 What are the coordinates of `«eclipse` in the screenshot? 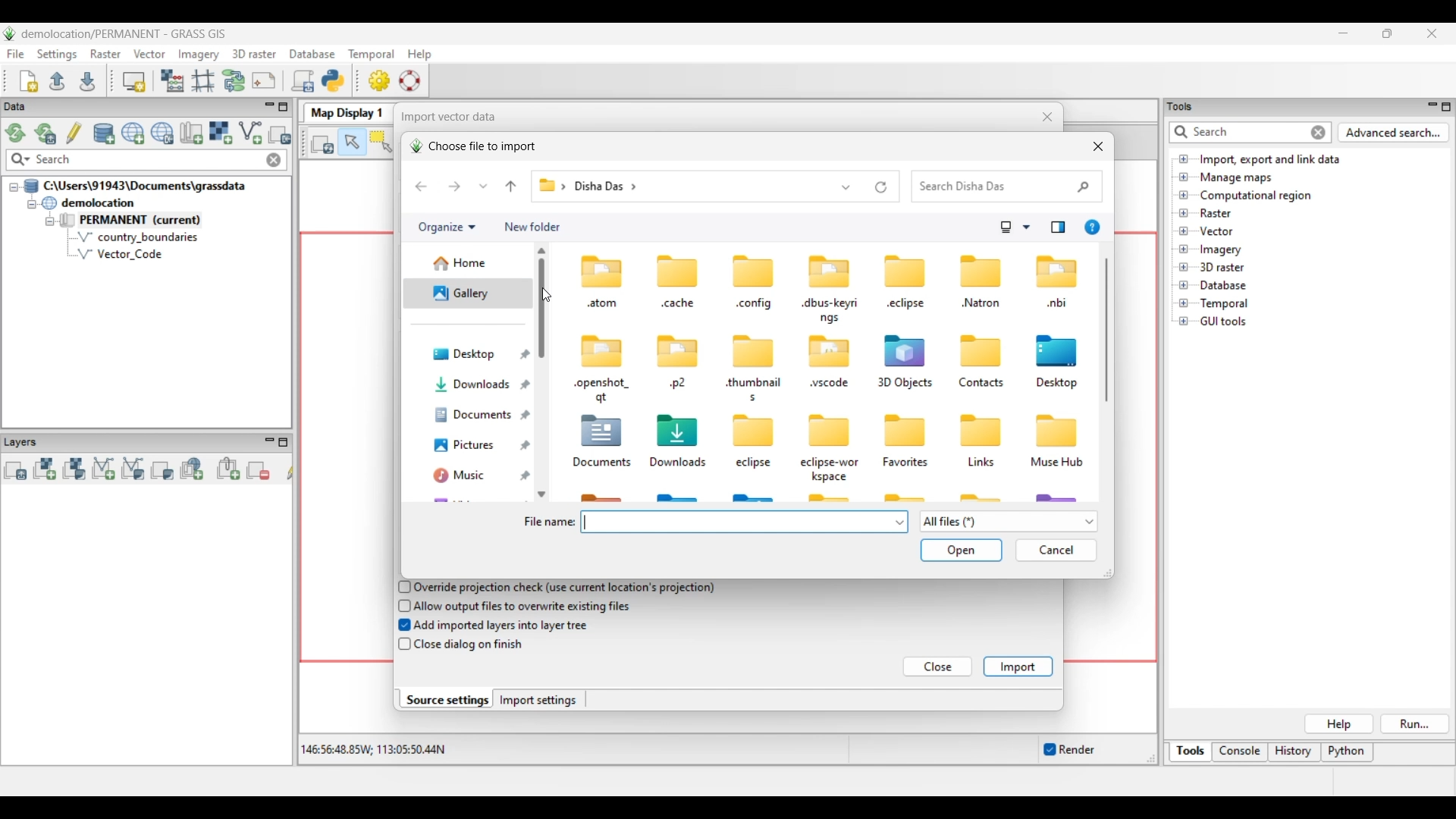 It's located at (908, 306).